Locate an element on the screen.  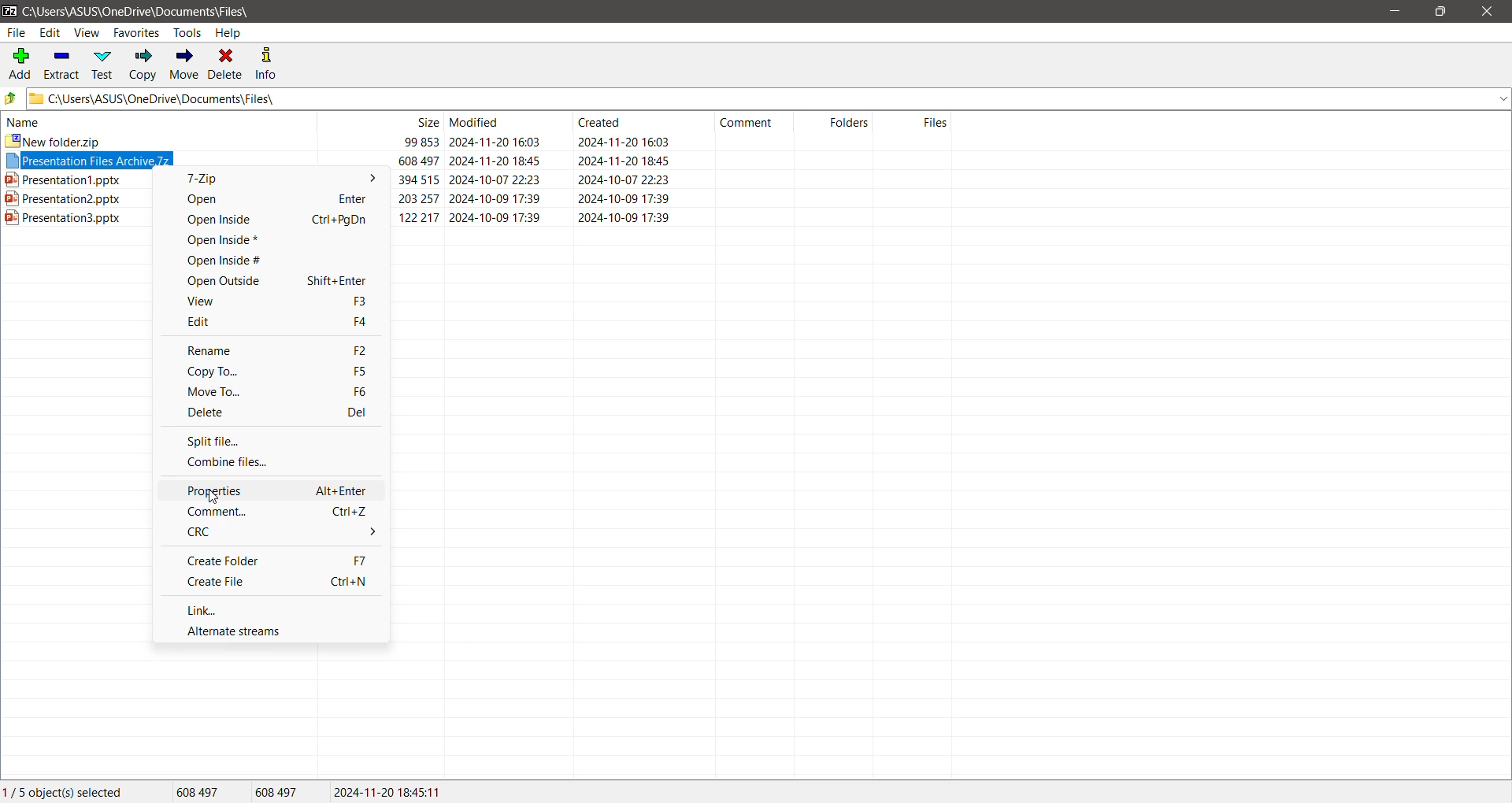
ppt3 is located at coordinates (673, 221).